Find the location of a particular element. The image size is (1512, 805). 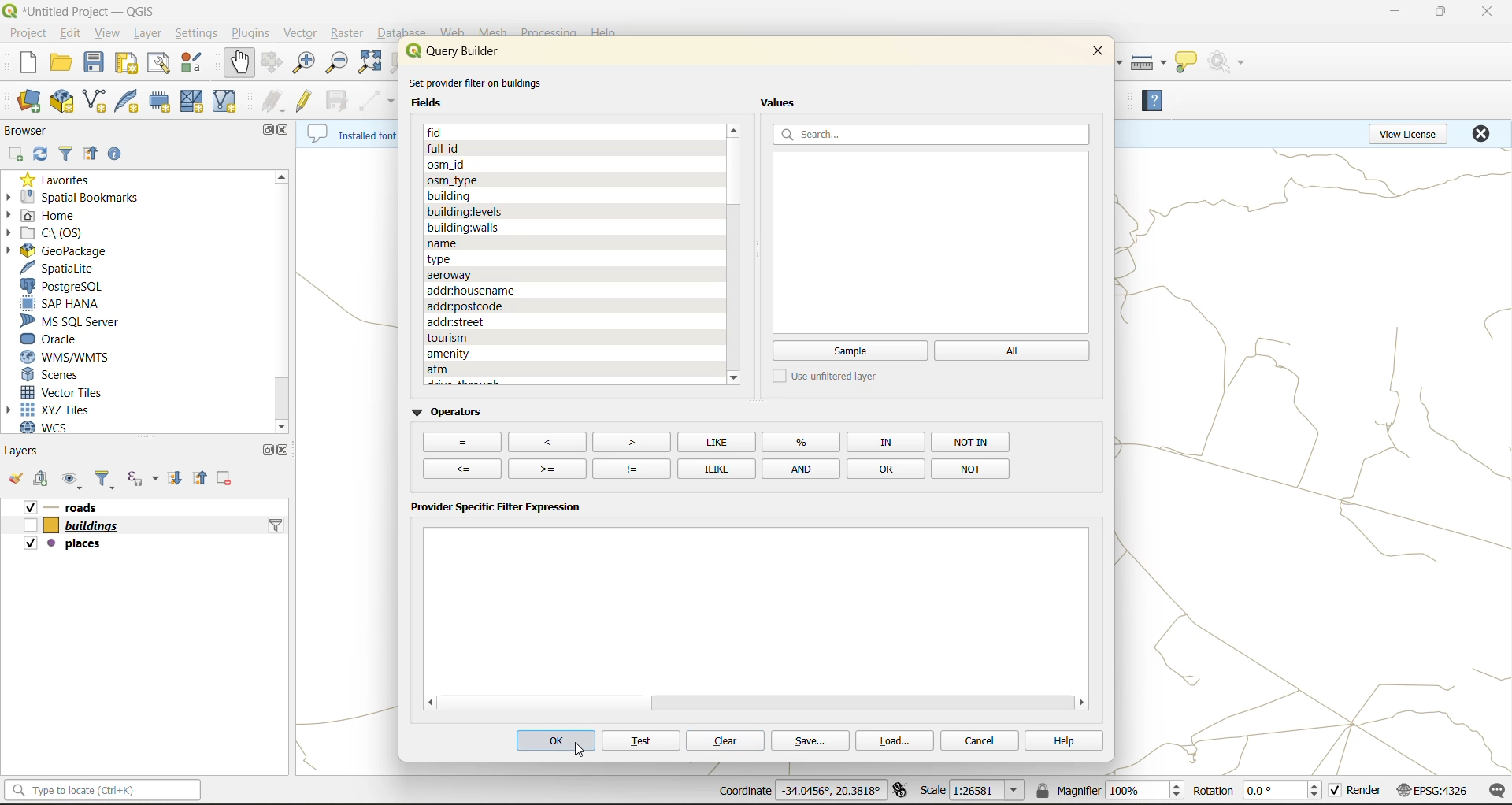

maximize is located at coordinates (265, 449).